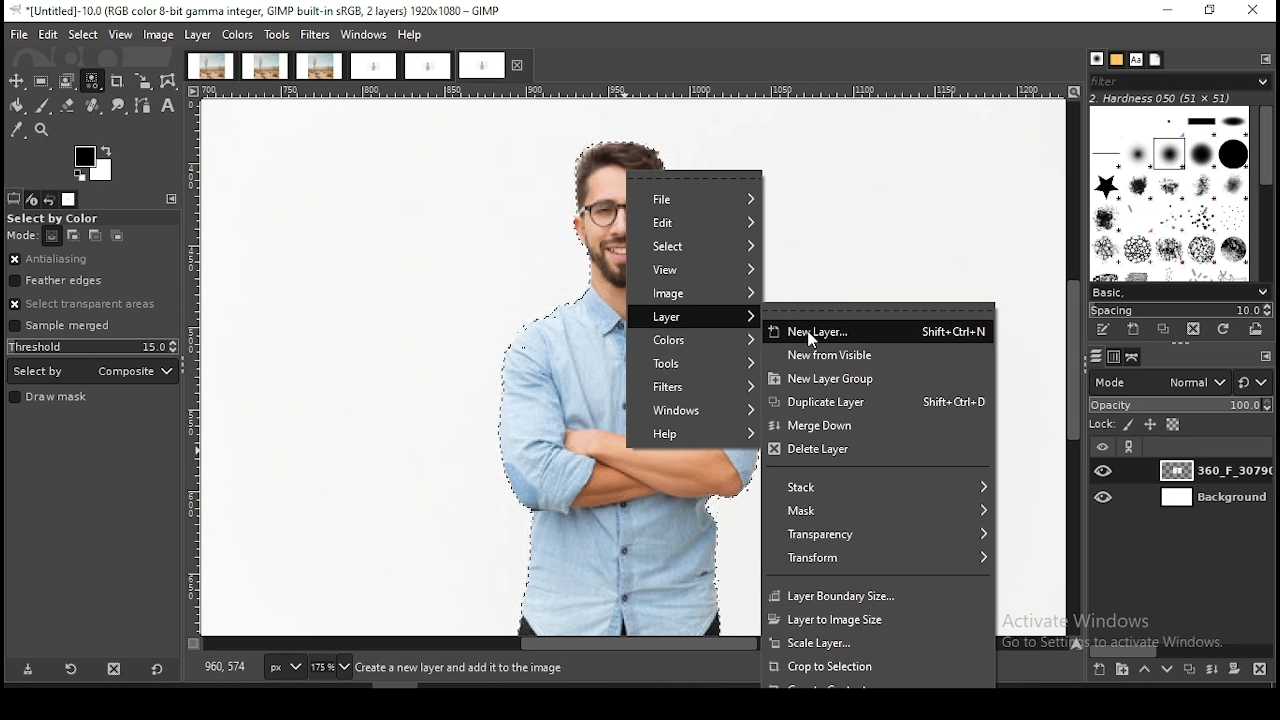  What do you see at coordinates (1103, 448) in the screenshot?
I see `layer visibility on/off` at bounding box center [1103, 448].